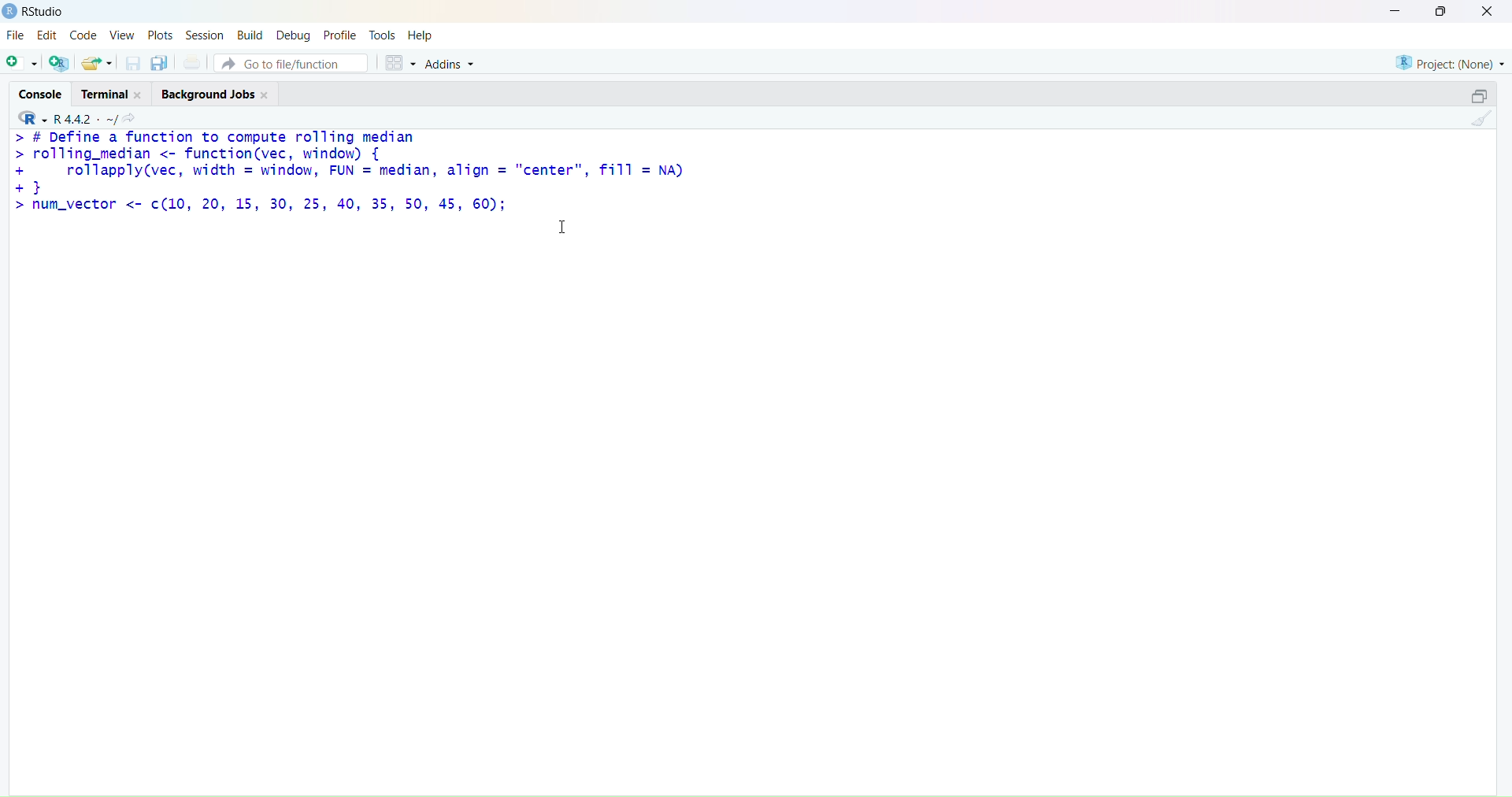  Describe the element at coordinates (41, 95) in the screenshot. I see `console` at that location.